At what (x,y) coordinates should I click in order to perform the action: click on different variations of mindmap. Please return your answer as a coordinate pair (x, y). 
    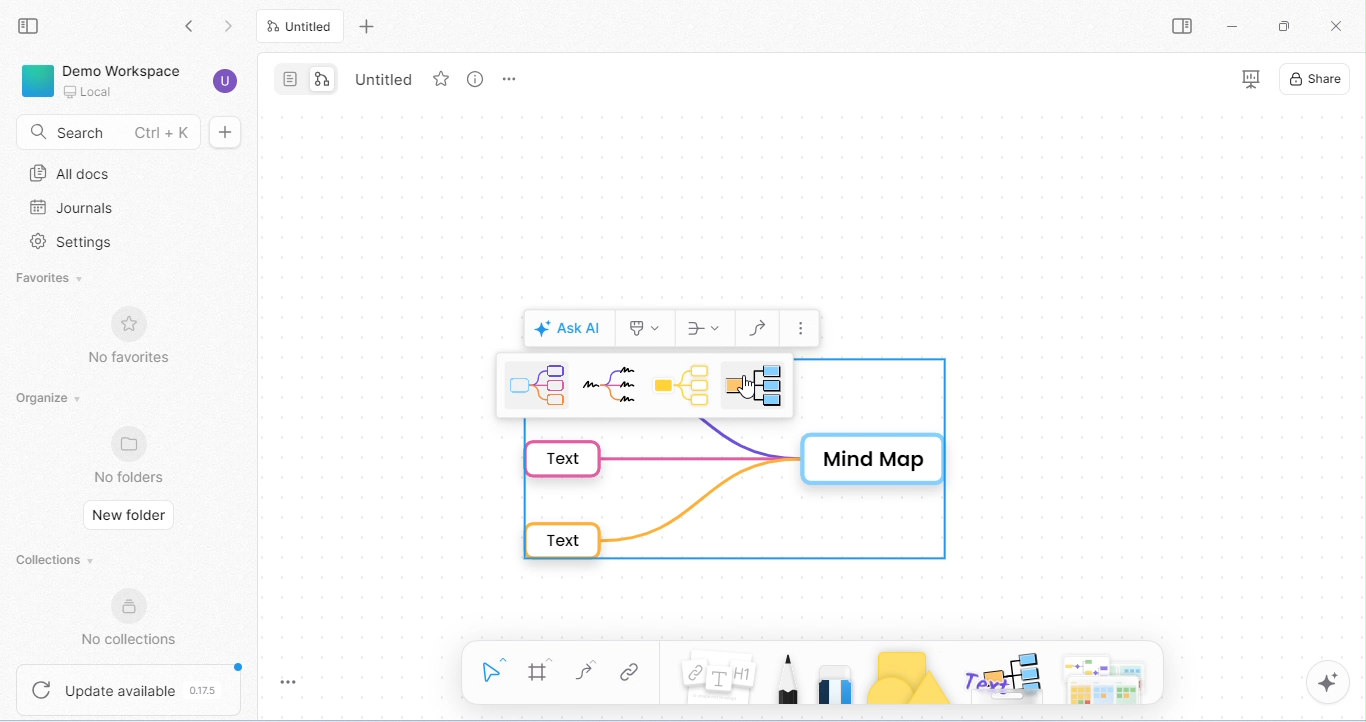
    Looking at the image, I should click on (650, 387).